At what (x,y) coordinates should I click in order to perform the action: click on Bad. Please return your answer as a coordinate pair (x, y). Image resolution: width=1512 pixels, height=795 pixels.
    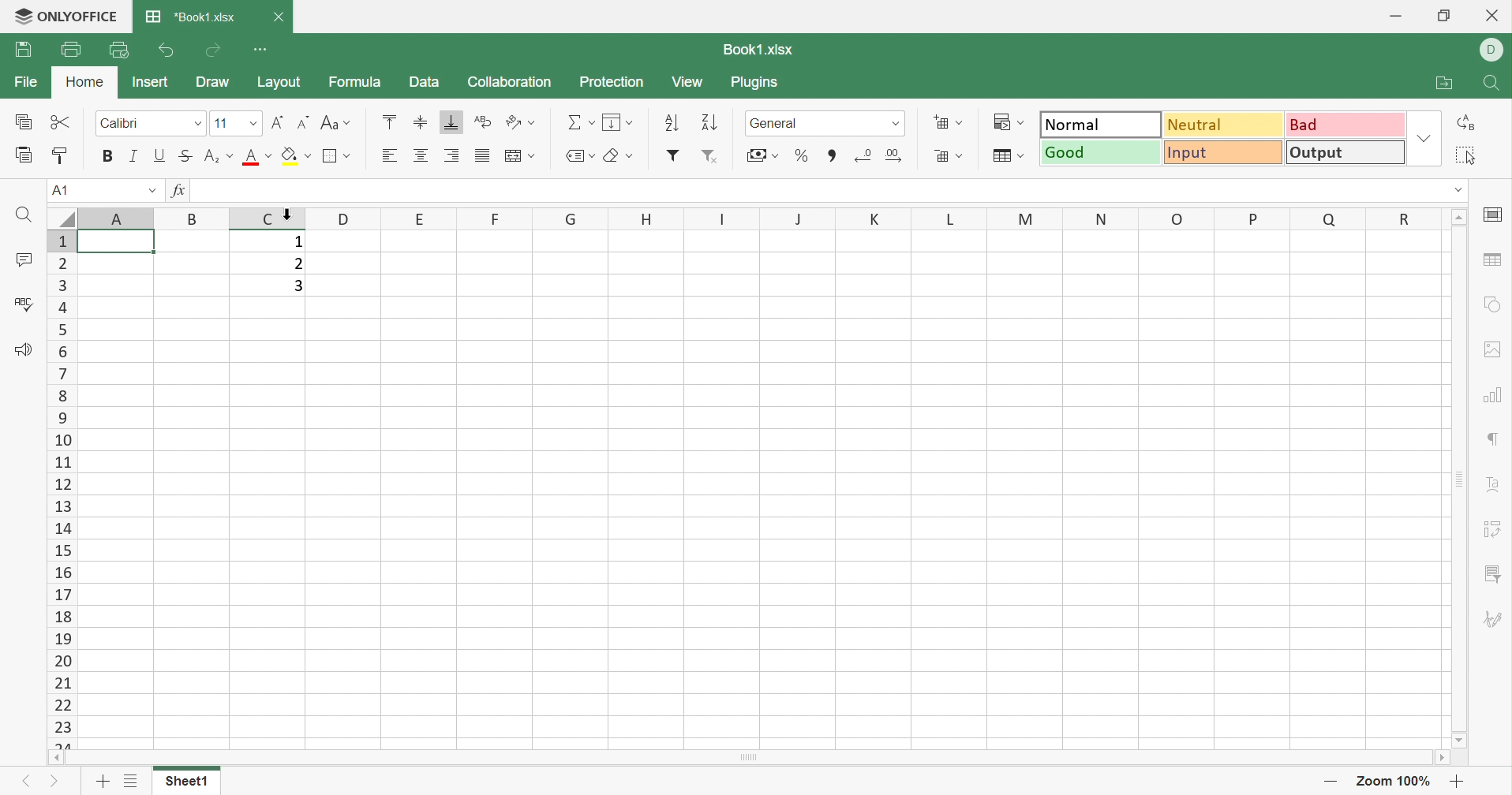
    Looking at the image, I should click on (1345, 125).